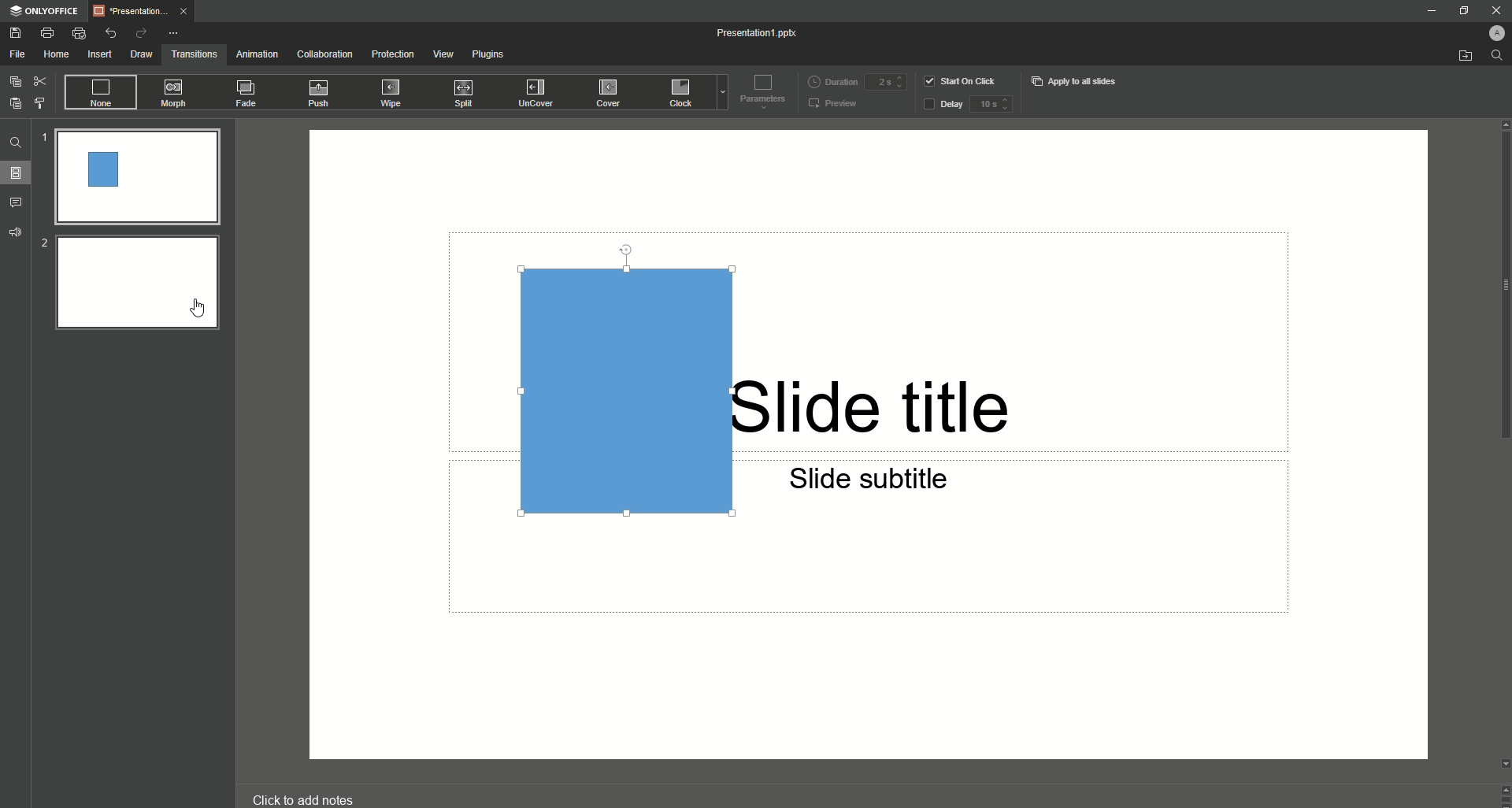 The height and width of the screenshot is (808, 1512). What do you see at coordinates (16, 32) in the screenshot?
I see `Save` at bounding box center [16, 32].